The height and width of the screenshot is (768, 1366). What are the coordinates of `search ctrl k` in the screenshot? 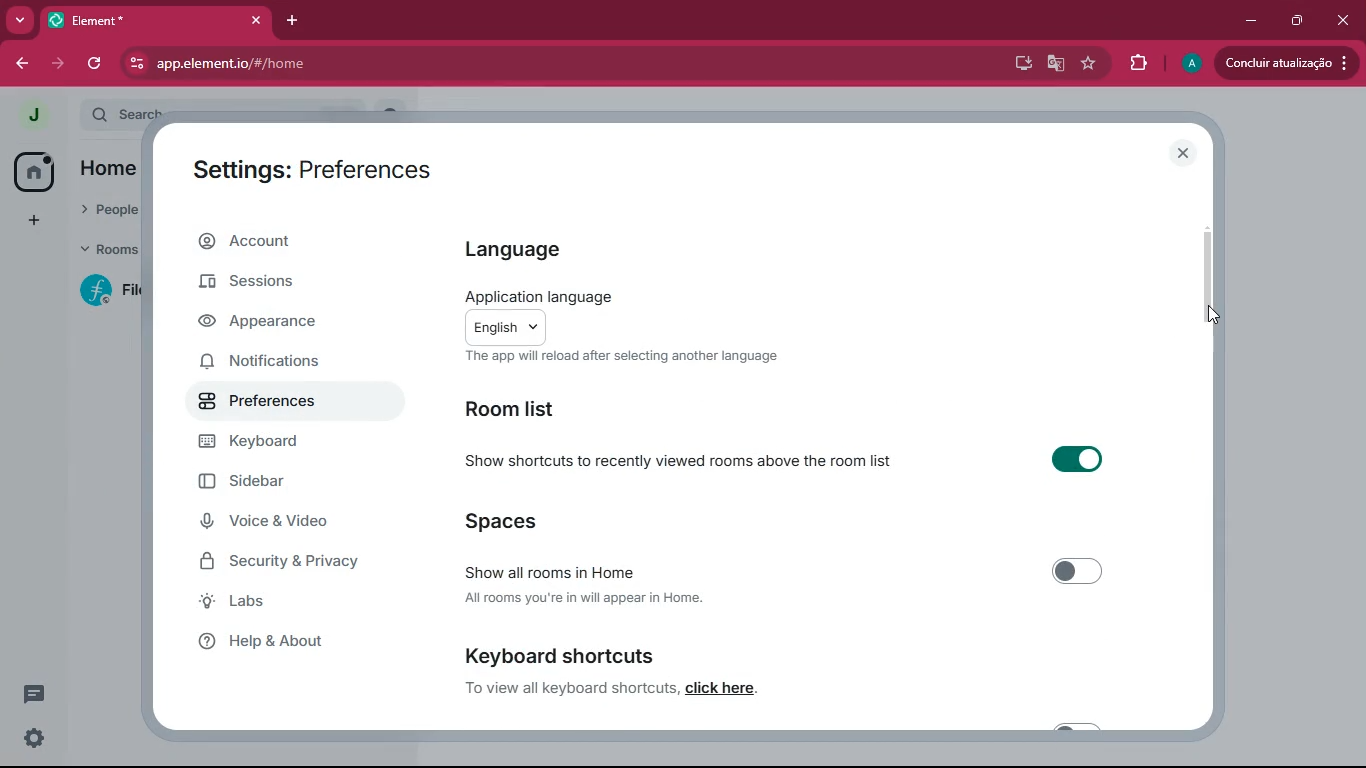 It's located at (234, 115).